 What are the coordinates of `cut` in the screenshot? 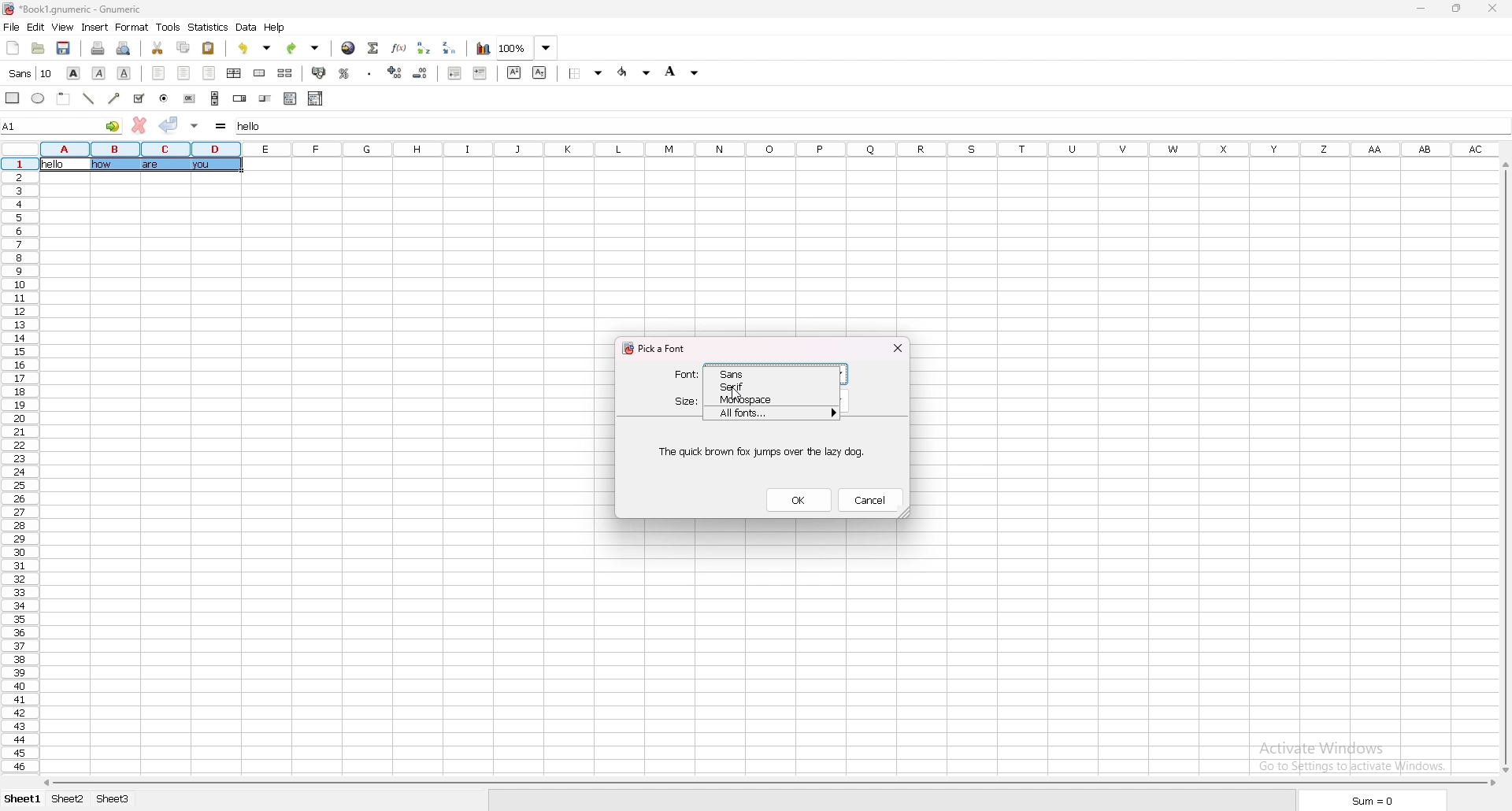 It's located at (157, 46).